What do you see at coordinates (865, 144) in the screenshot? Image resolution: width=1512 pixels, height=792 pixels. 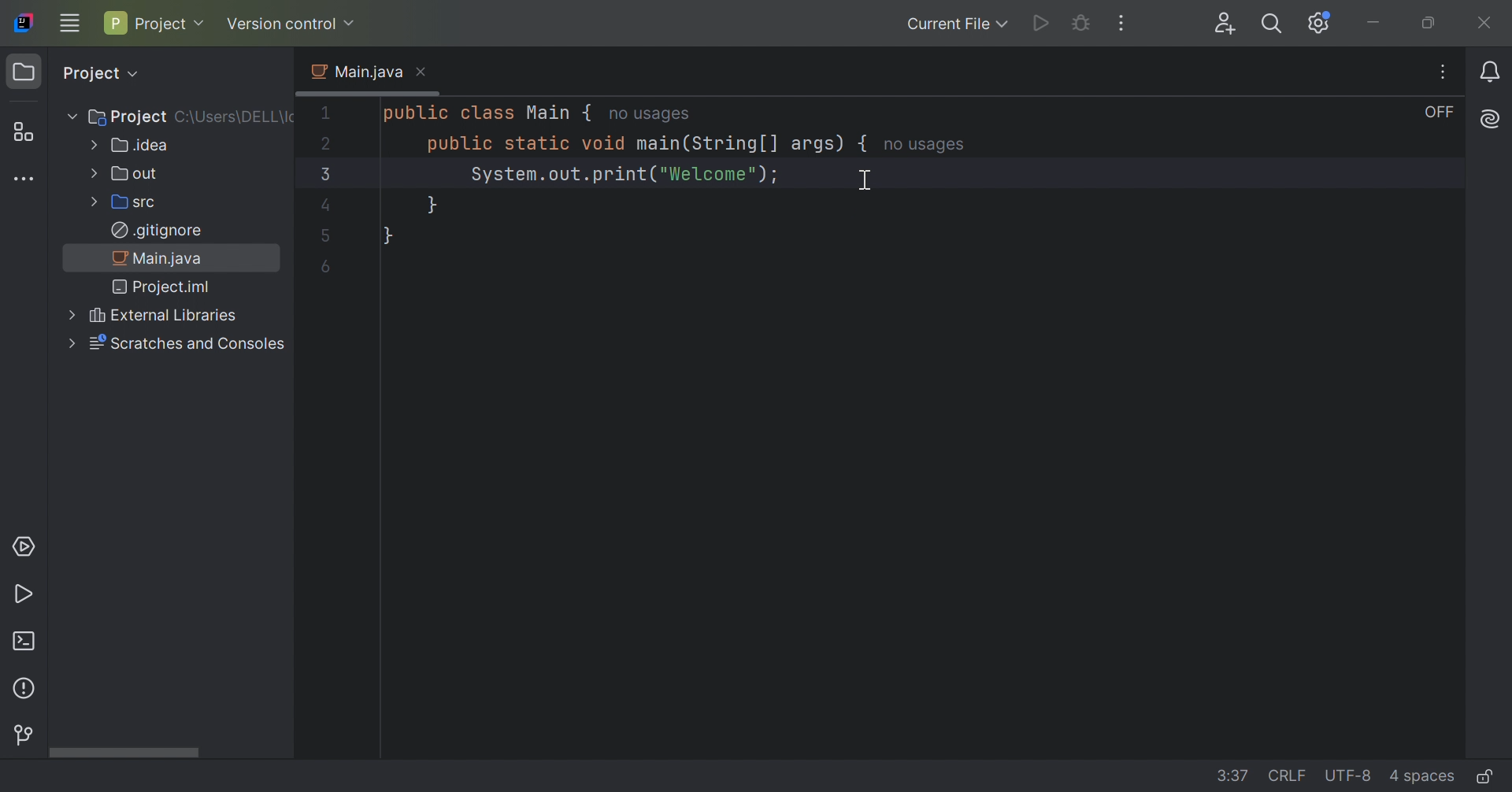 I see `{` at bounding box center [865, 144].